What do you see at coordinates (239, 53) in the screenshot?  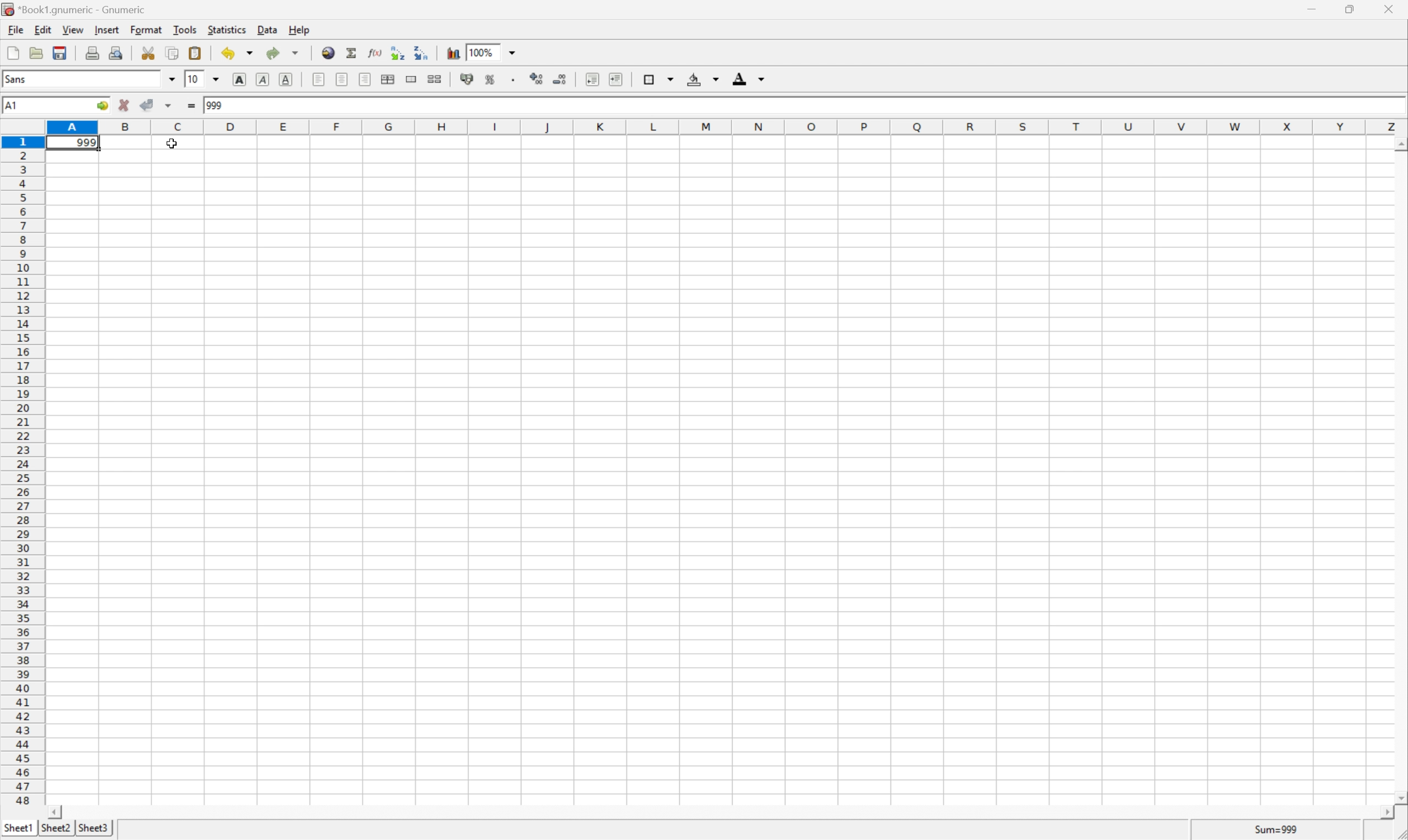 I see `undo` at bounding box center [239, 53].